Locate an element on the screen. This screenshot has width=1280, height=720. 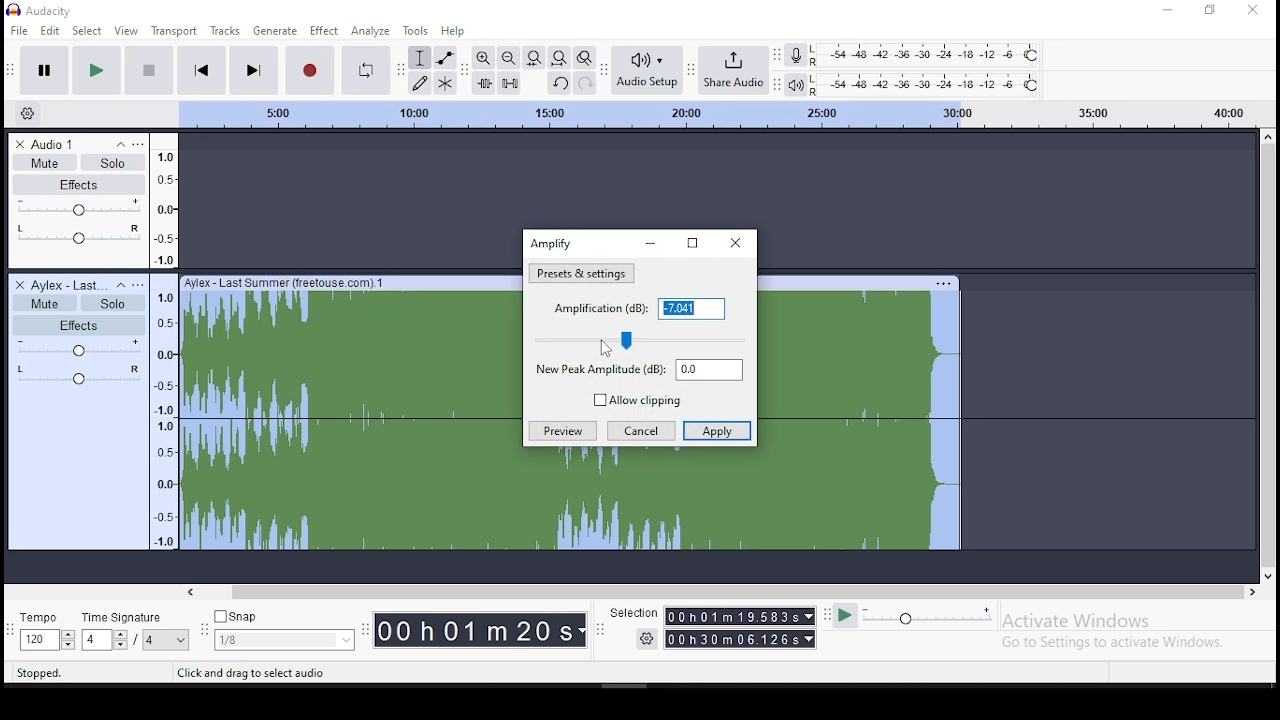
track is located at coordinates (860, 419).